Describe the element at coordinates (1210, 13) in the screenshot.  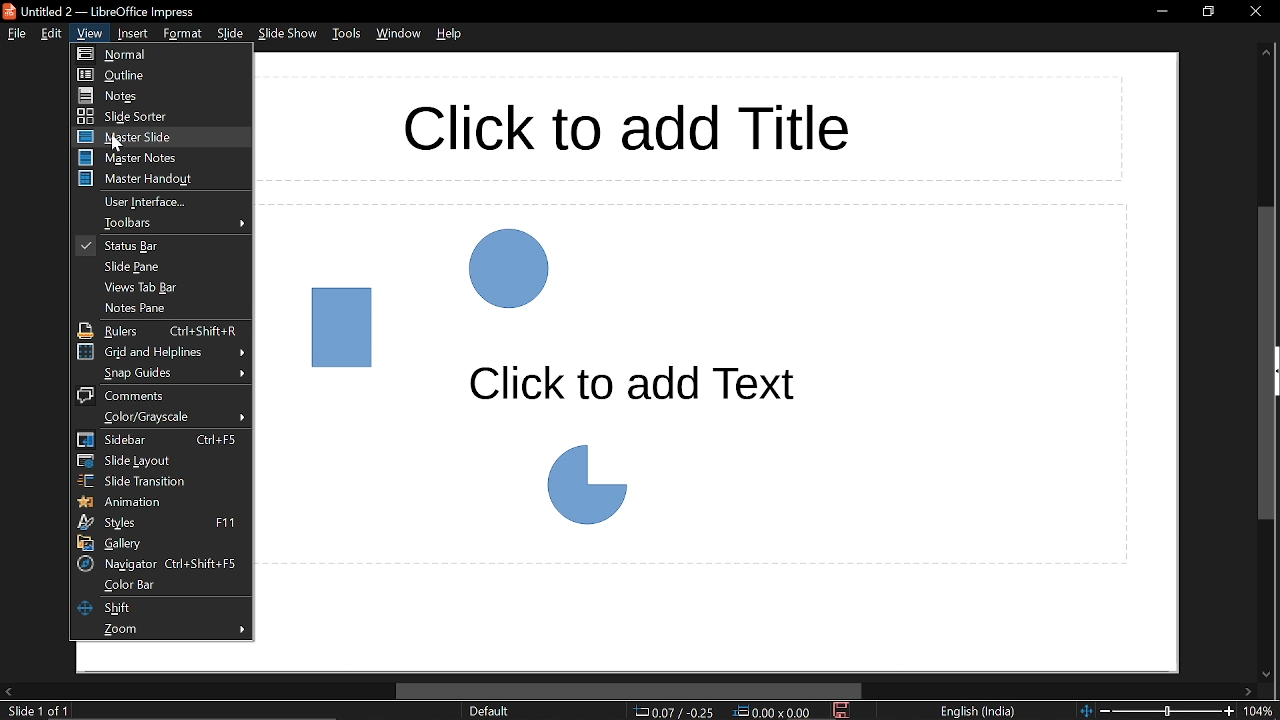
I see `Restore down` at that location.